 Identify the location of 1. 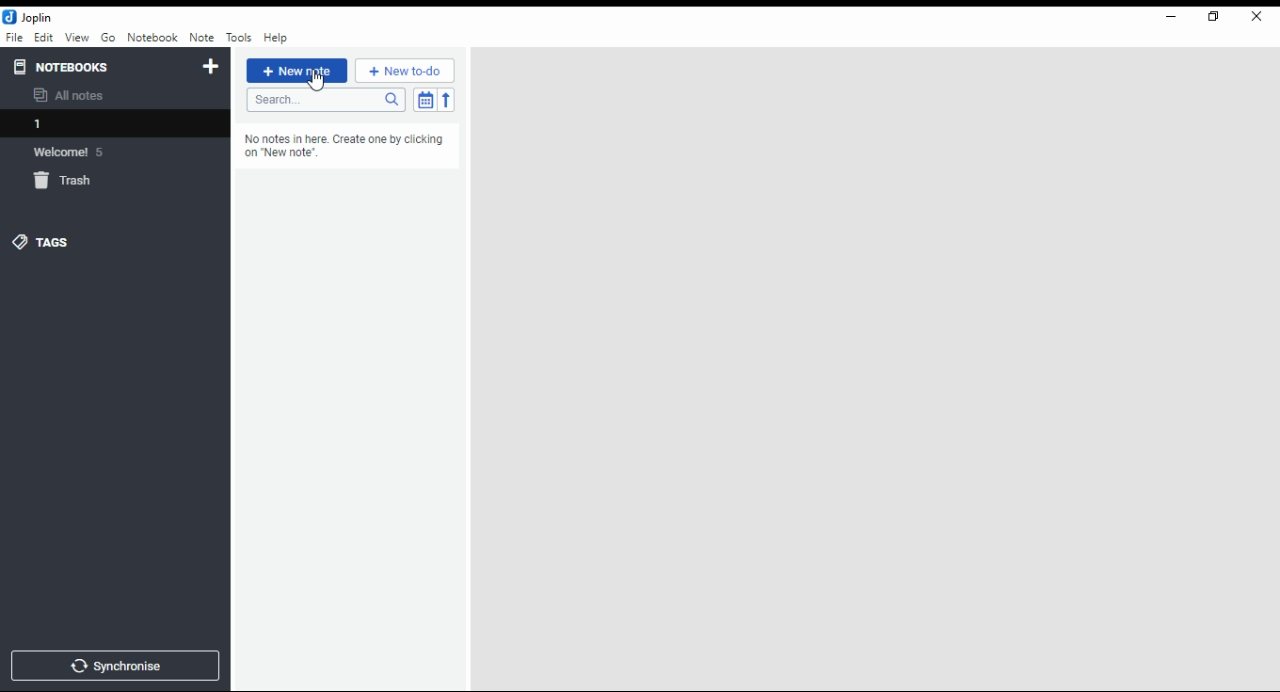
(113, 123).